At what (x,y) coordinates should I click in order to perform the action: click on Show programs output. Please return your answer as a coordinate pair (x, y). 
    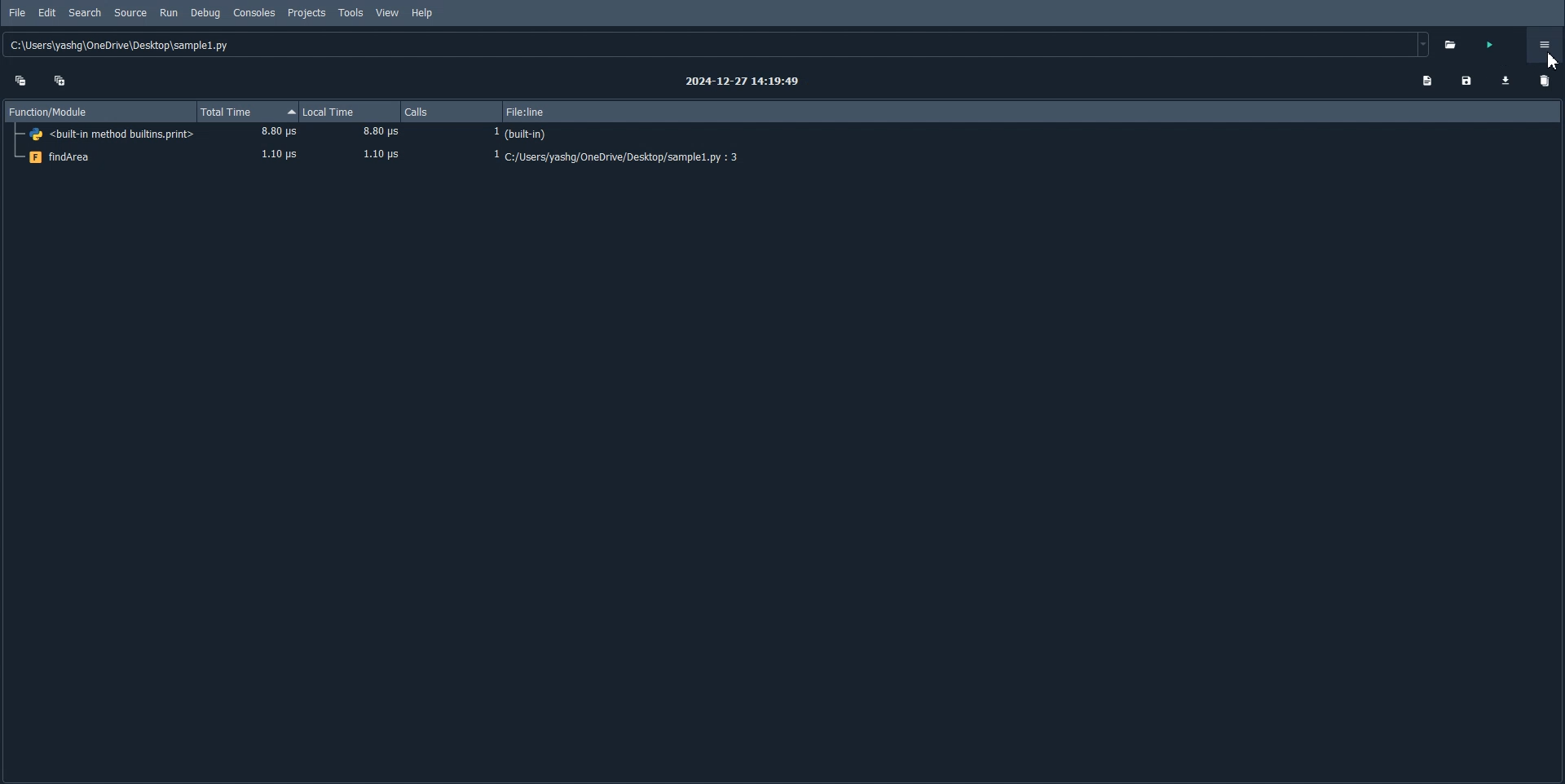
    Looking at the image, I should click on (1426, 81).